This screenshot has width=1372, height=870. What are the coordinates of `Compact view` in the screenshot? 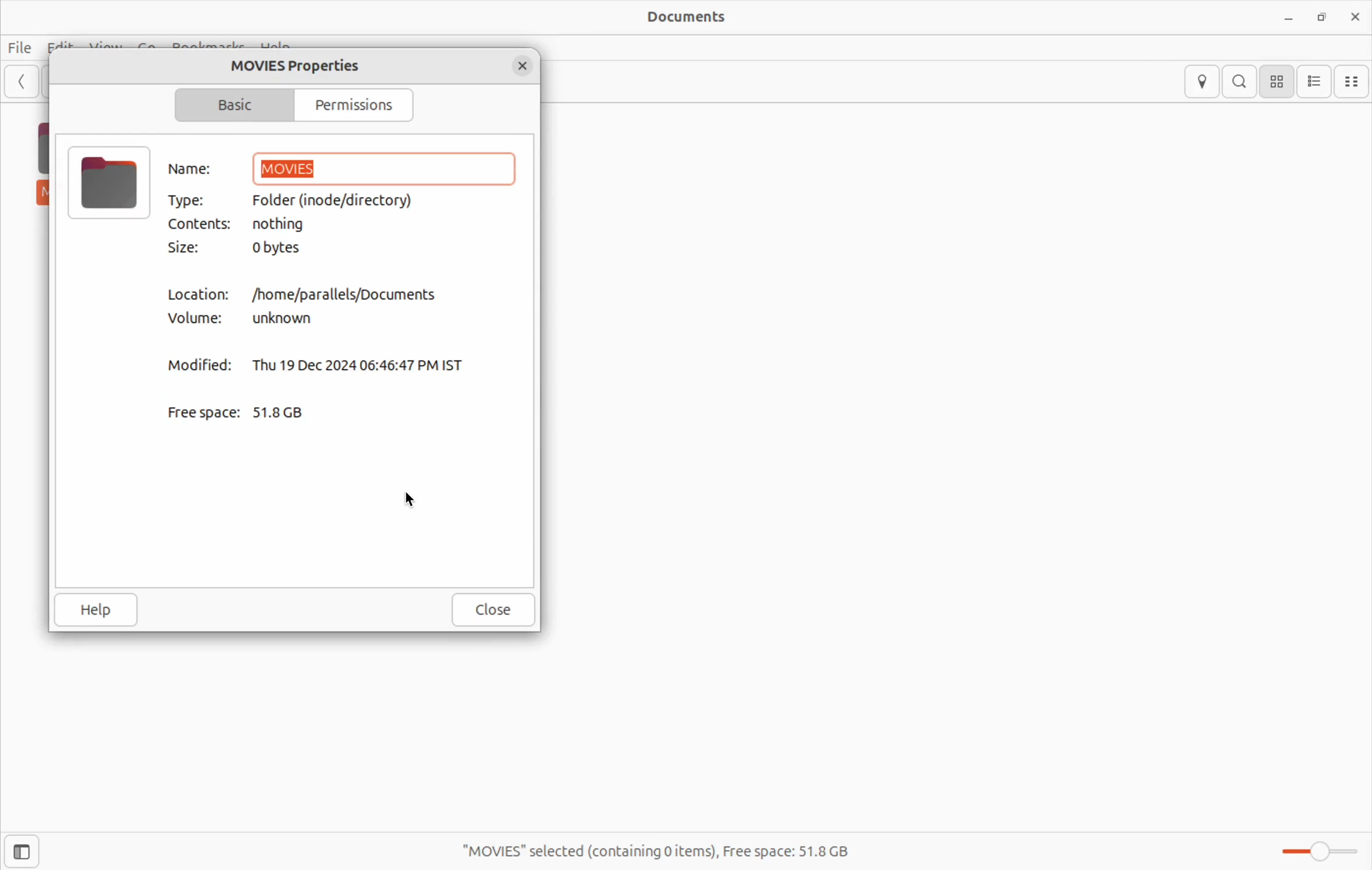 It's located at (1355, 81).